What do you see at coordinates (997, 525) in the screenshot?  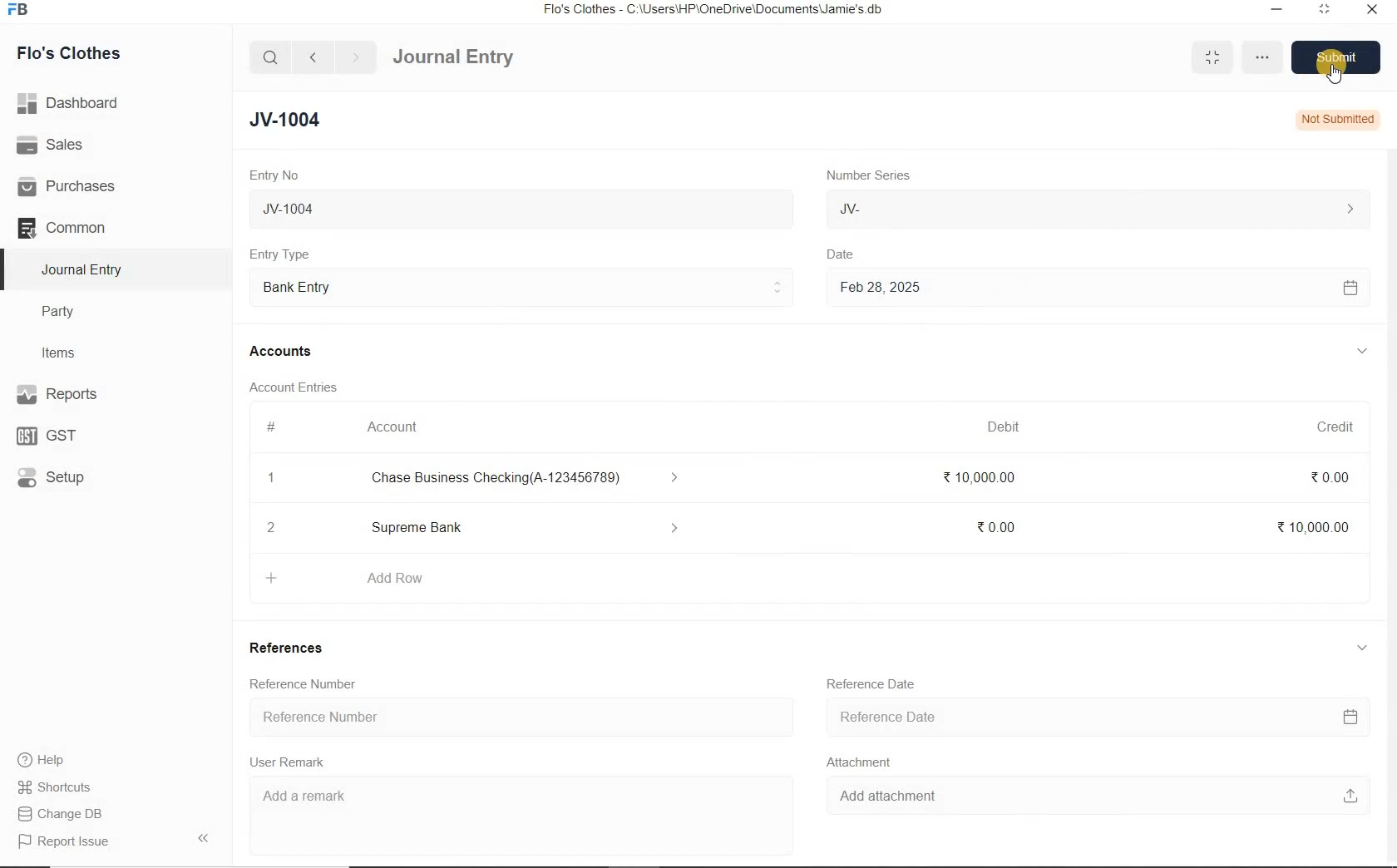 I see `₹0.00` at bounding box center [997, 525].